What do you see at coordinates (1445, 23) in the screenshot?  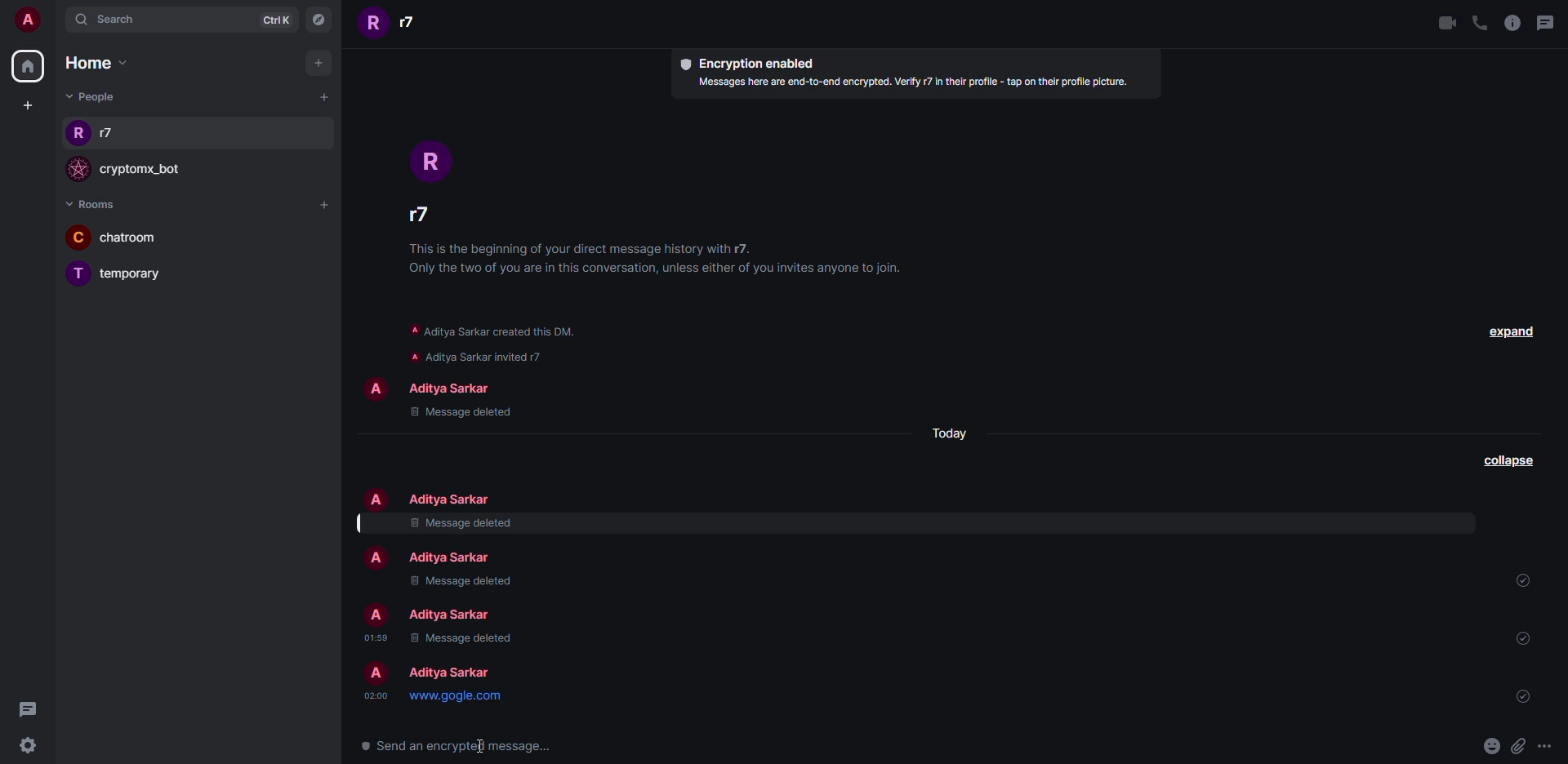 I see `video call` at bounding box center [1445, 23].